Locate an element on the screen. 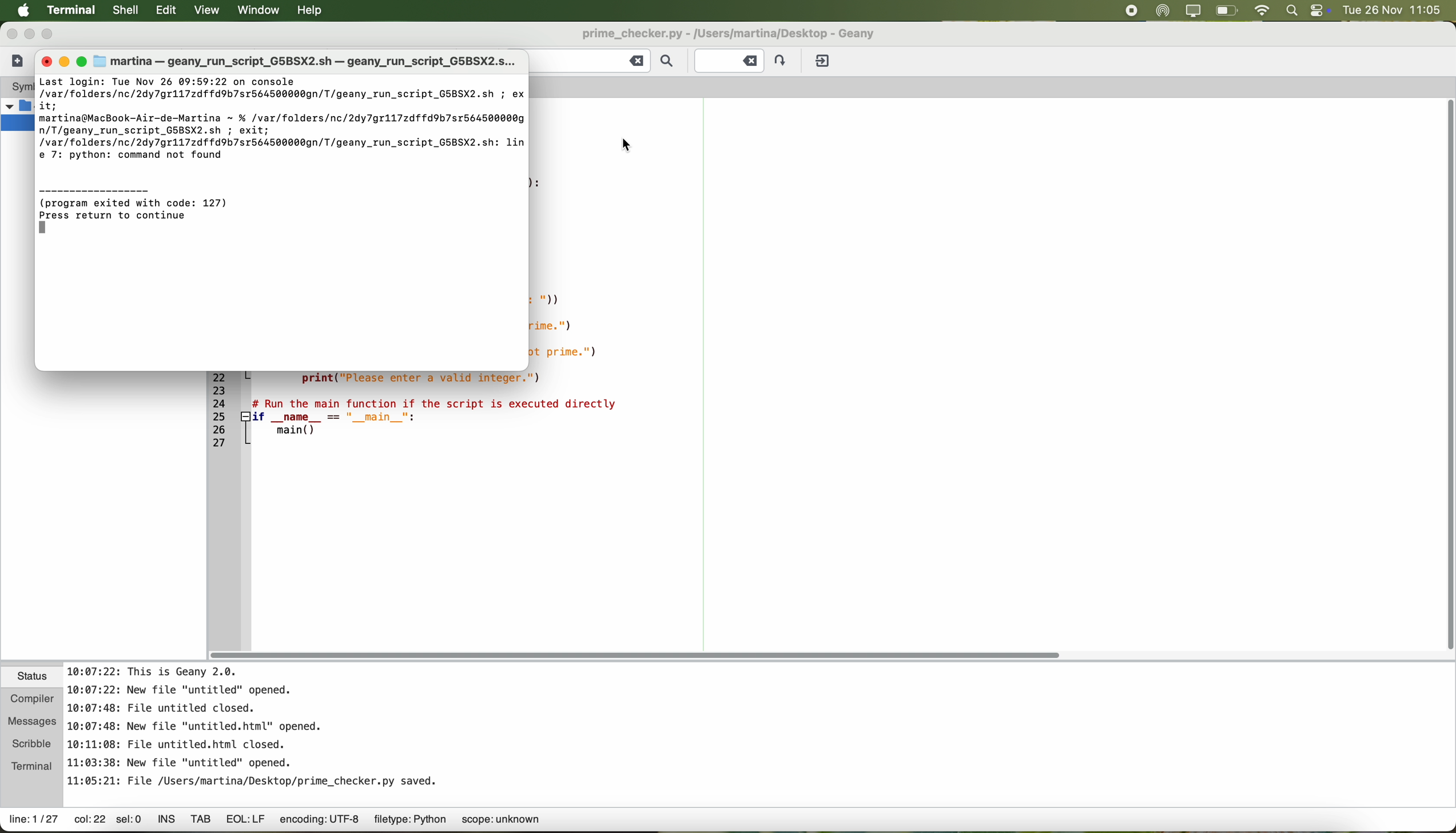  Apple icon is located at coordinates (18, 10).